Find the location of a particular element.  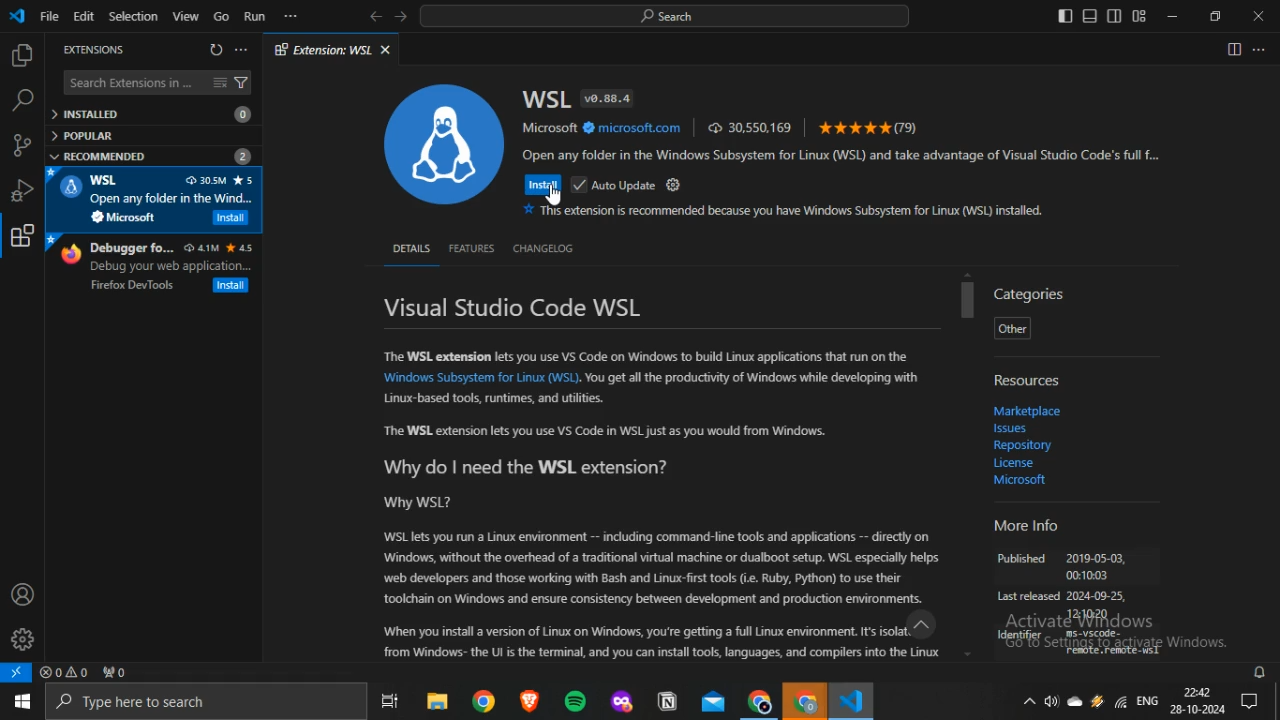

no ports forwarded is located at coordinates (115, 672).